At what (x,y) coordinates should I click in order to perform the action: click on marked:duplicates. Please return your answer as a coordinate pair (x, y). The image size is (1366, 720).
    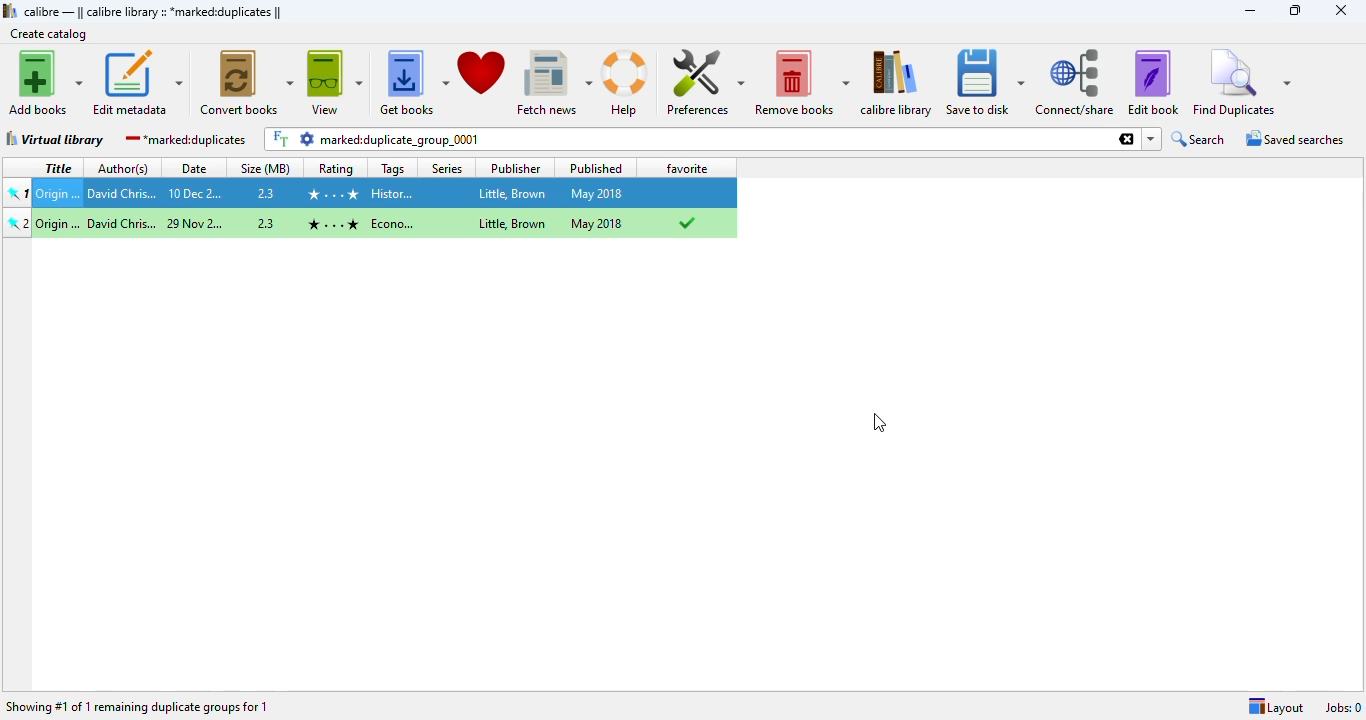
    Looking at the image, I should click on (185, 139).